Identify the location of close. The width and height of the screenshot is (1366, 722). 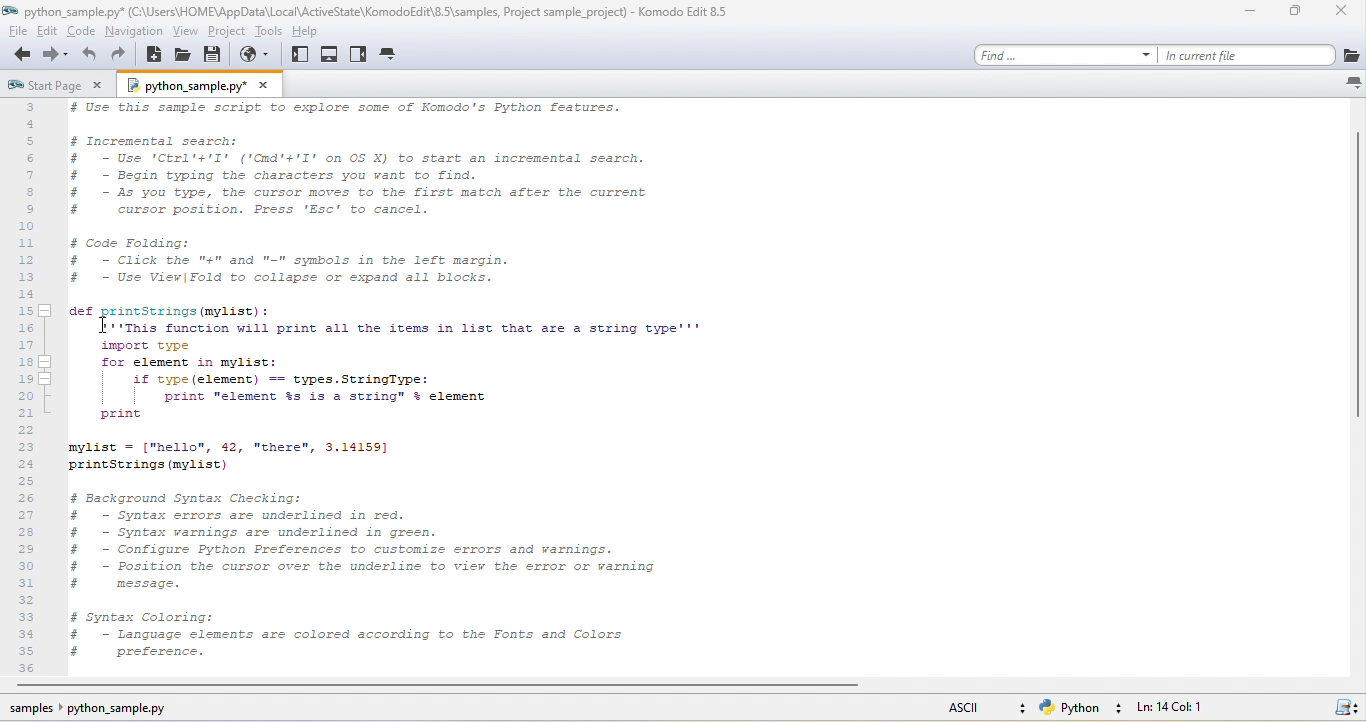
(1343, 14).